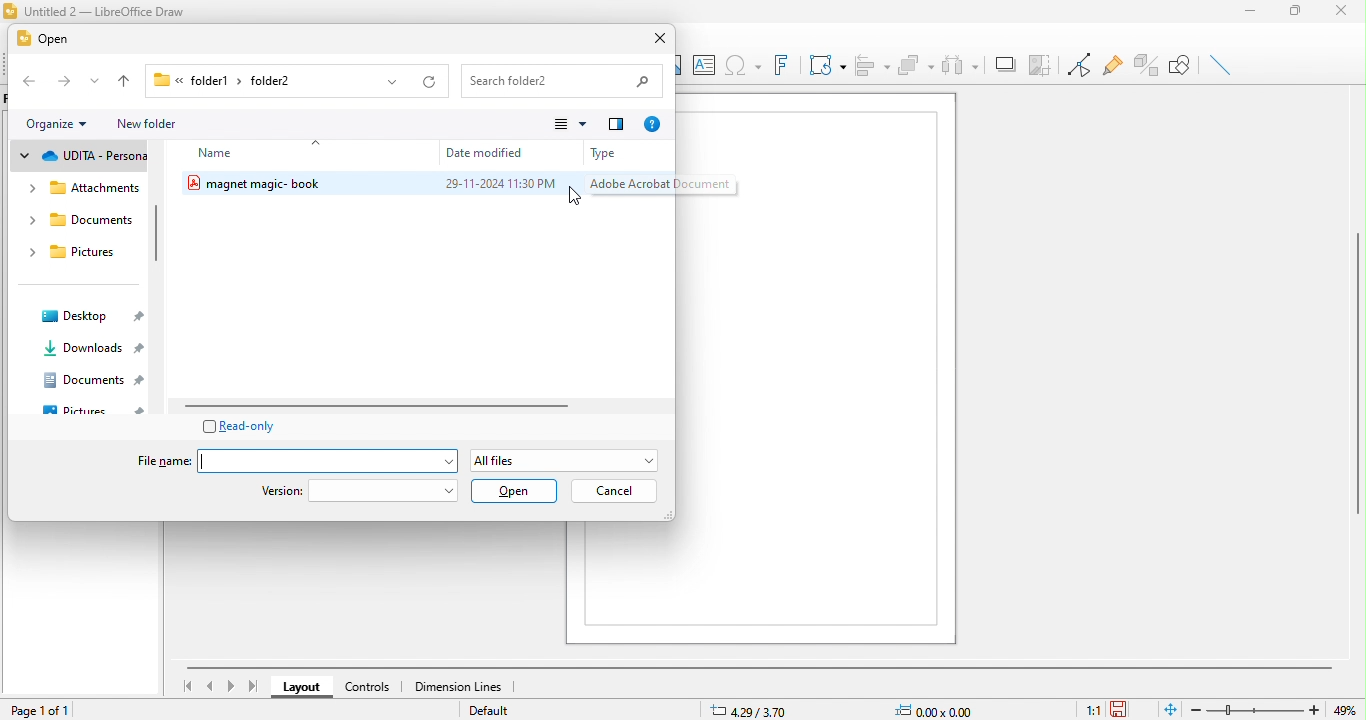 This screenshot has width=1366, height=720. I want to click on show draw function, so click(1184, 64).